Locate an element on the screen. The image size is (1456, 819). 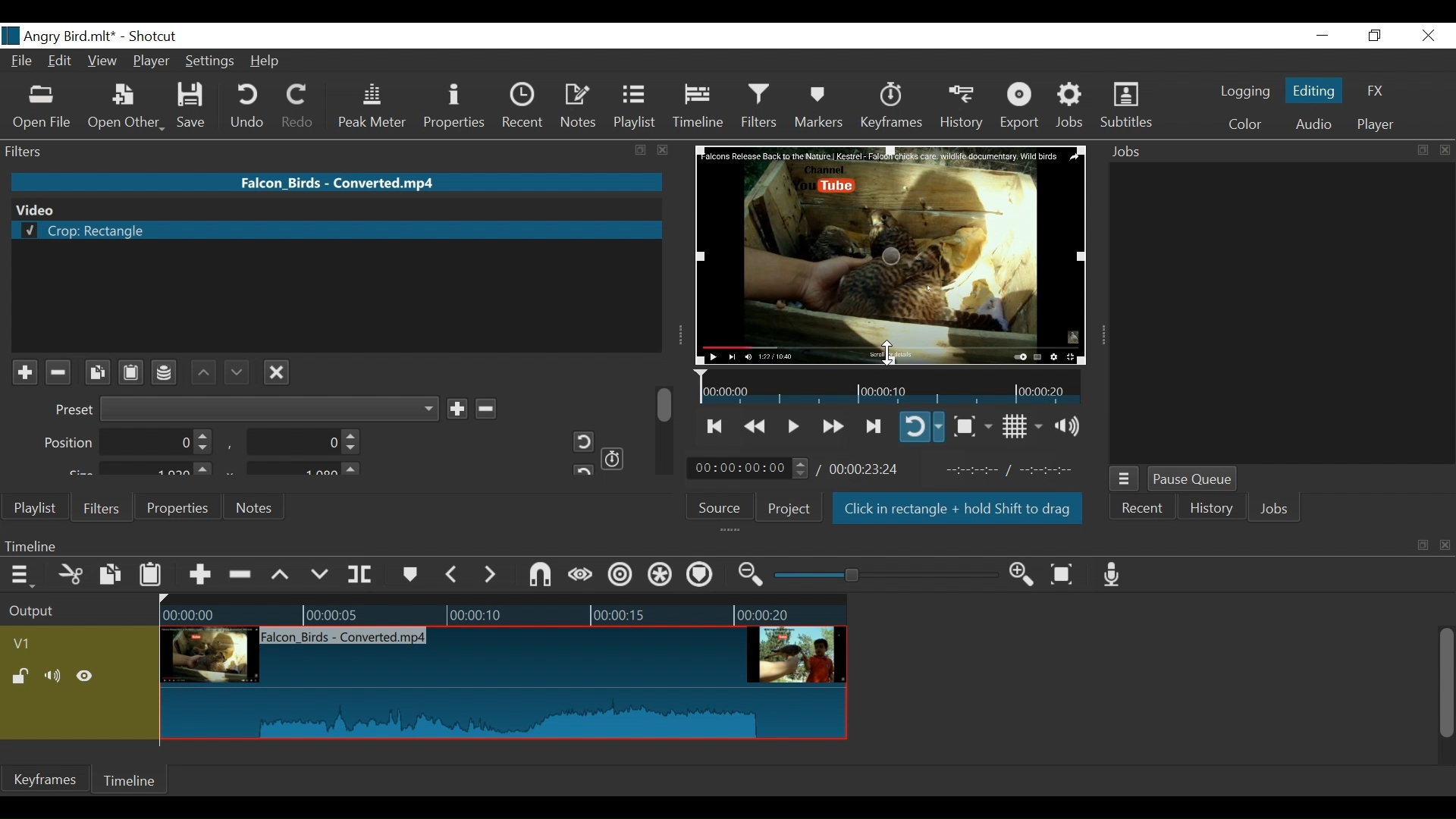
In point is located at coordinates (1015, 470).